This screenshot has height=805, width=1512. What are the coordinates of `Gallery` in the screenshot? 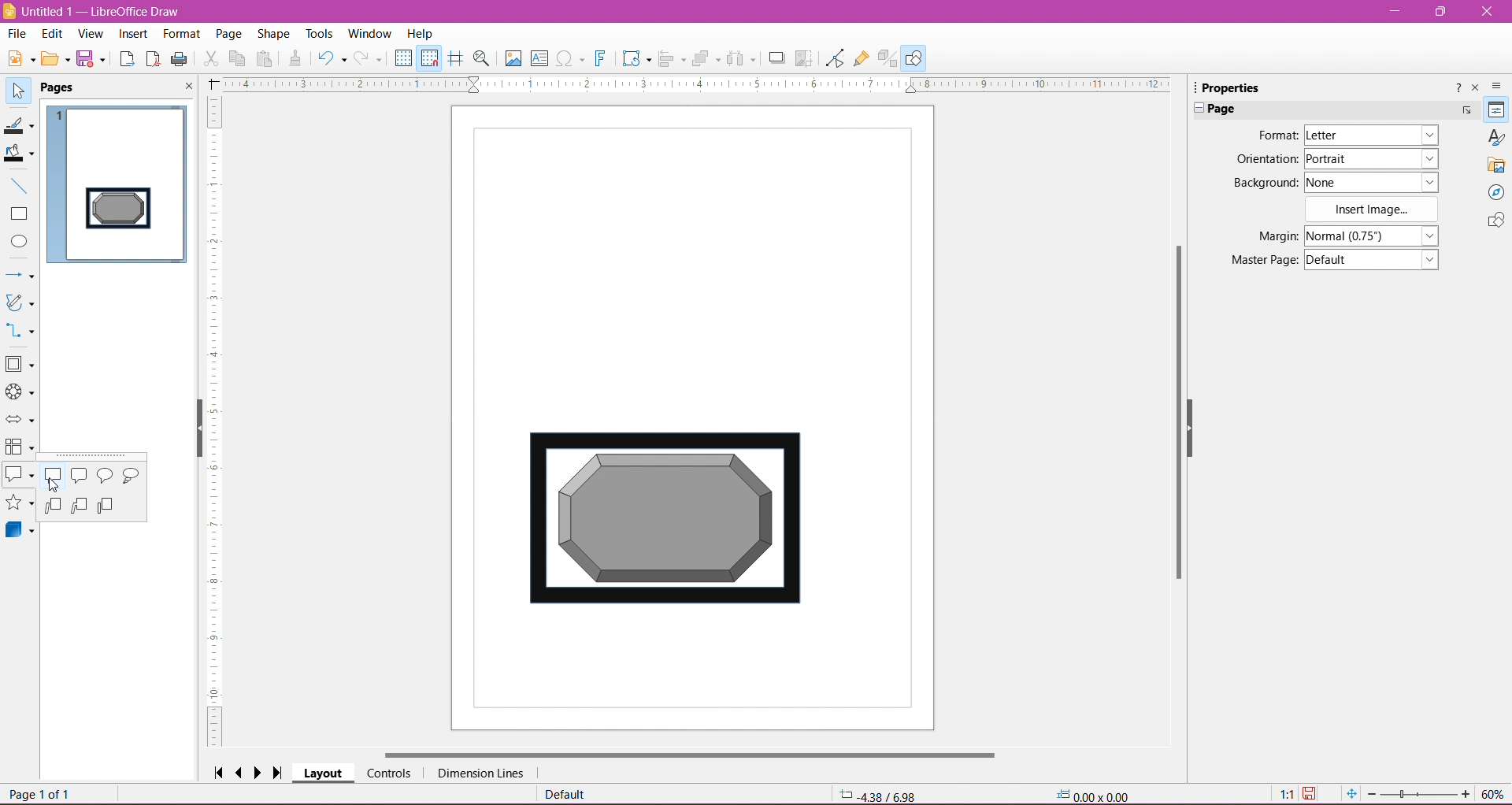 It's located at (1496, 165).